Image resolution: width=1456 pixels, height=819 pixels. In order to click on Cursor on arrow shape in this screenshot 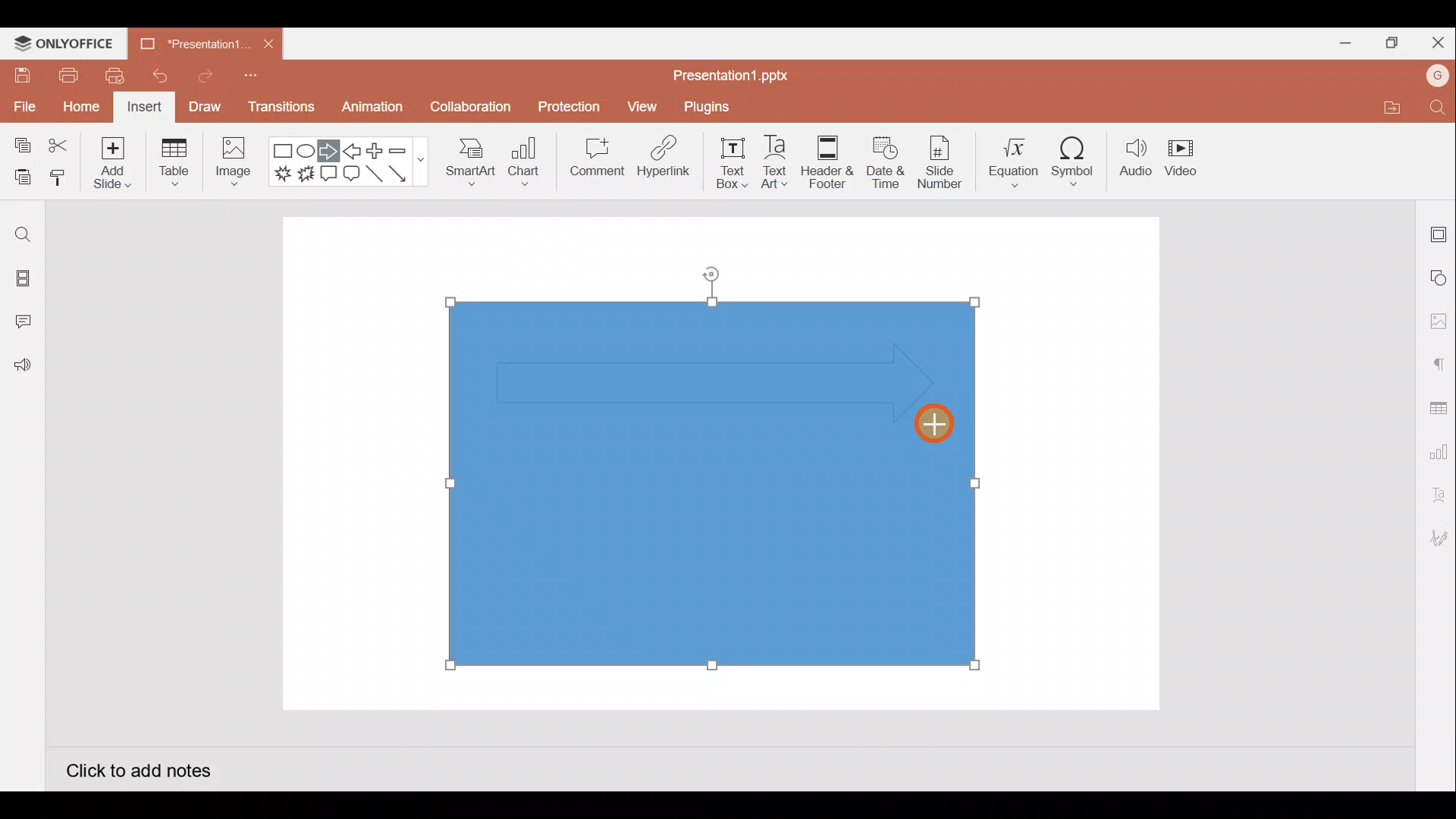, I will do `click(927, 424)`.